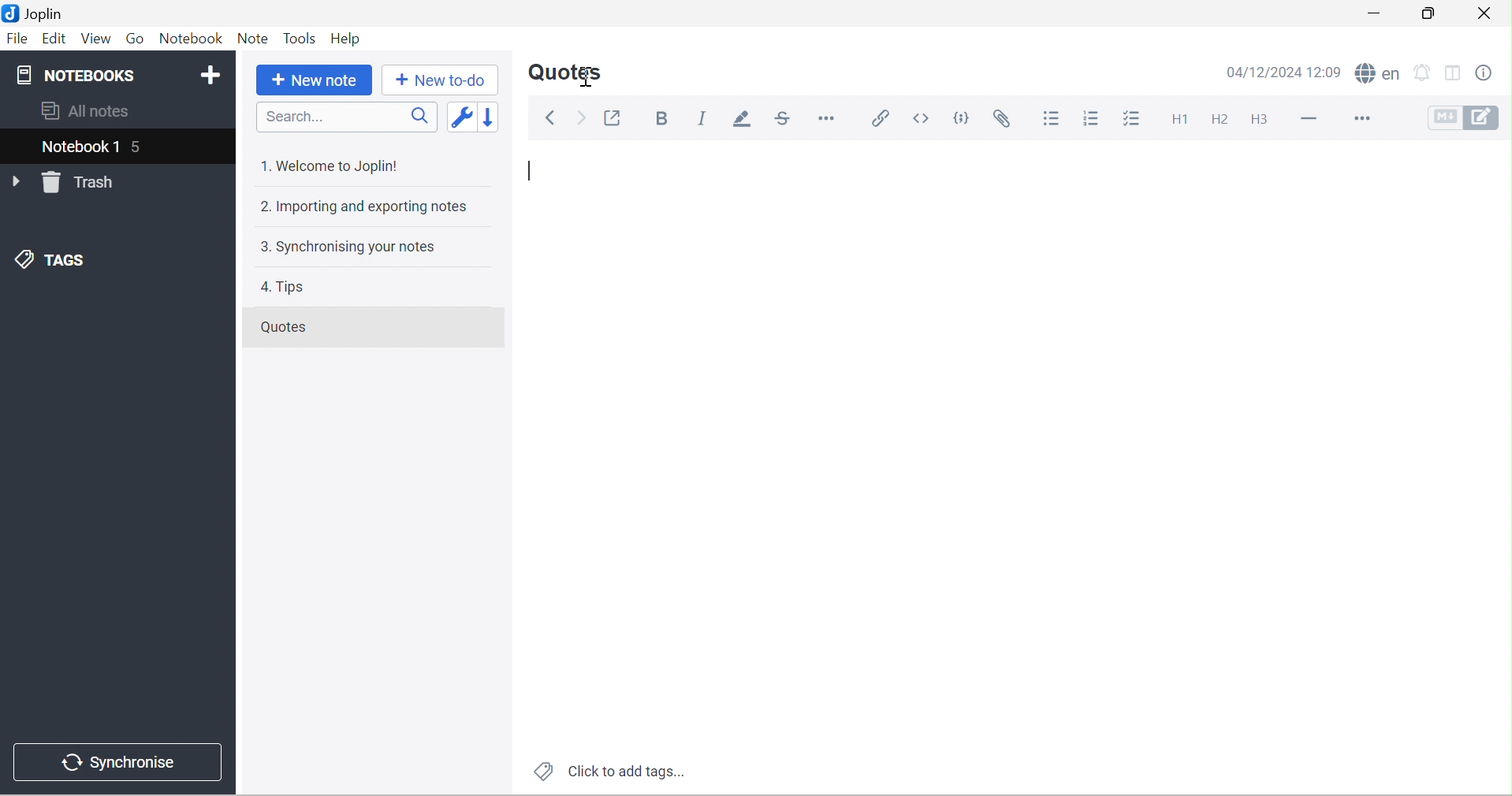  What do you see at coordinates (925, 118) in the screenshot?
I see `Inline code` at bounding box center [925, 118].